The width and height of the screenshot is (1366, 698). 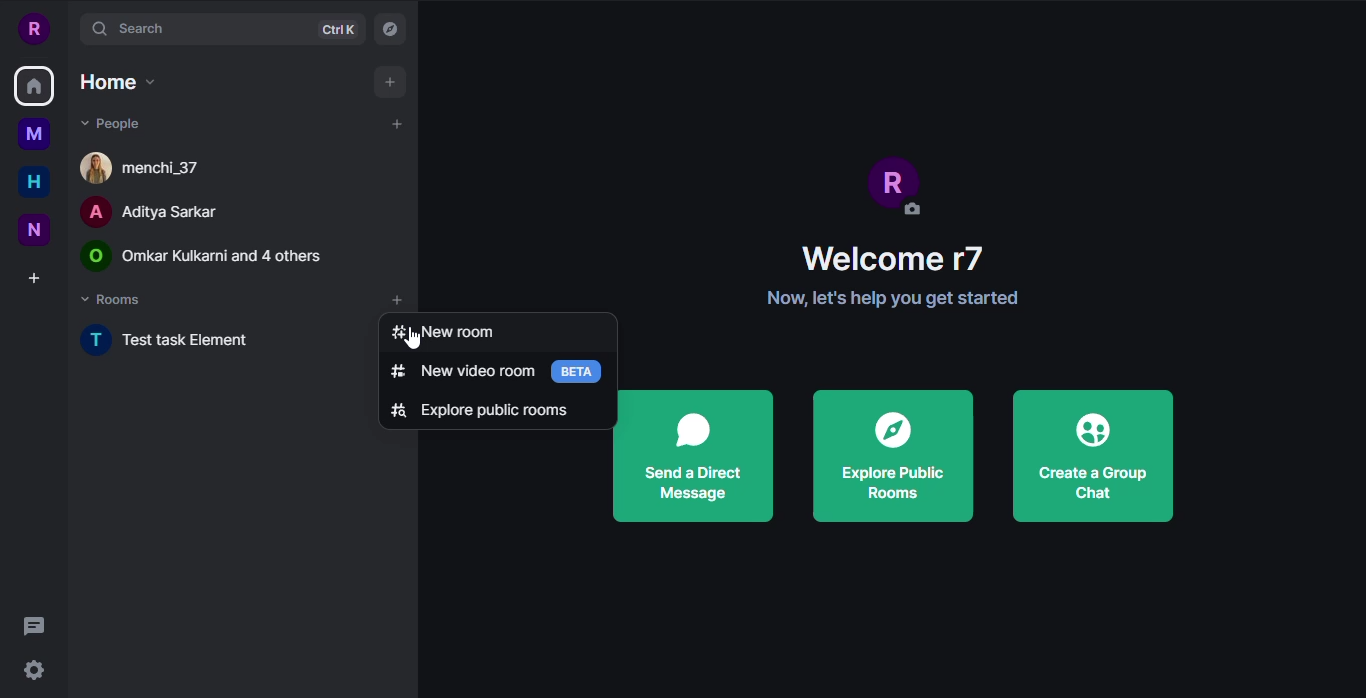 What do you see at coordinates (32, 88) in the screenshot?
I see `home` at bounding box center [32, 88].